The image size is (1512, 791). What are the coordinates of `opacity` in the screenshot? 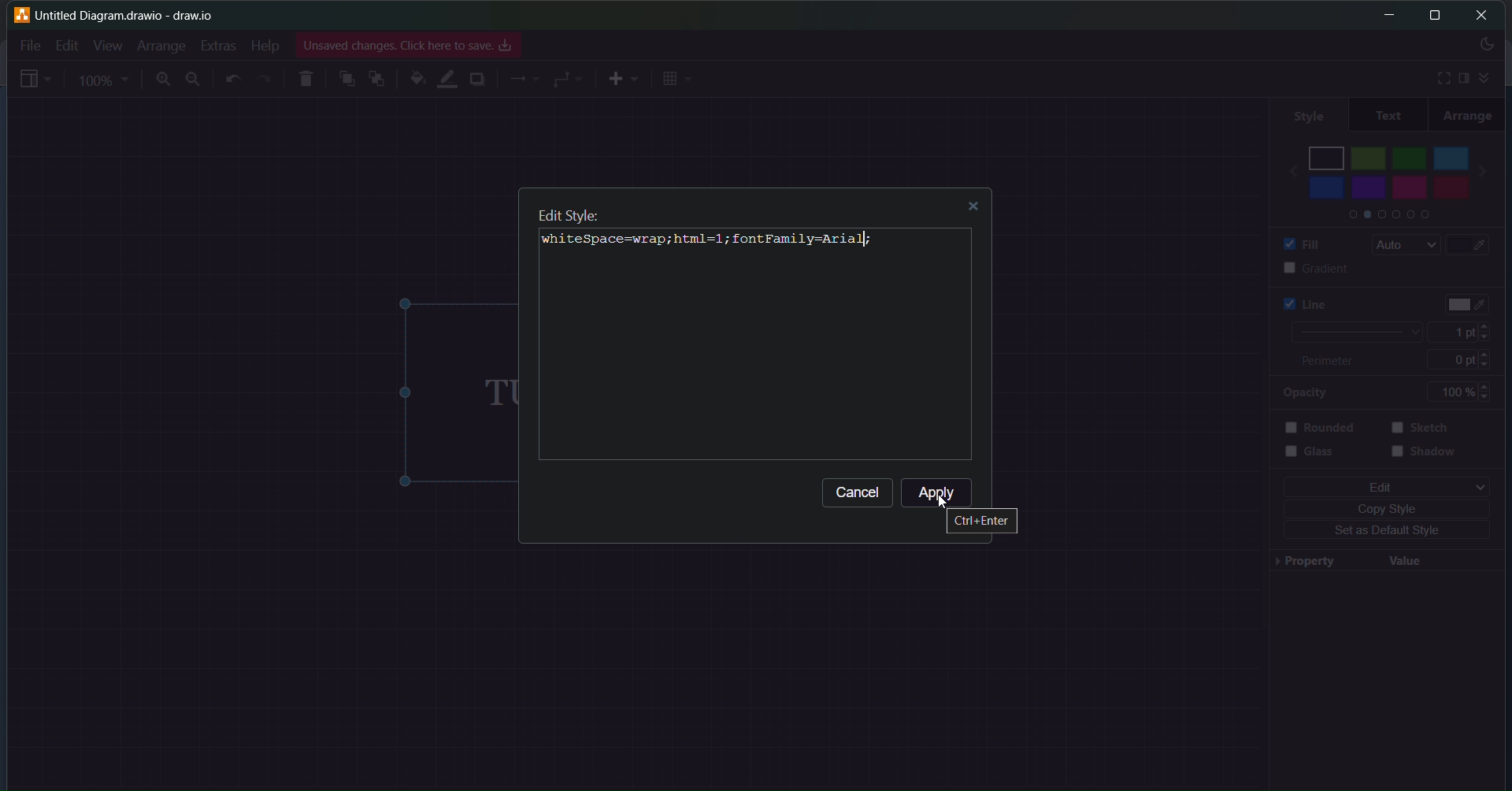 It's located at (1304, 393).